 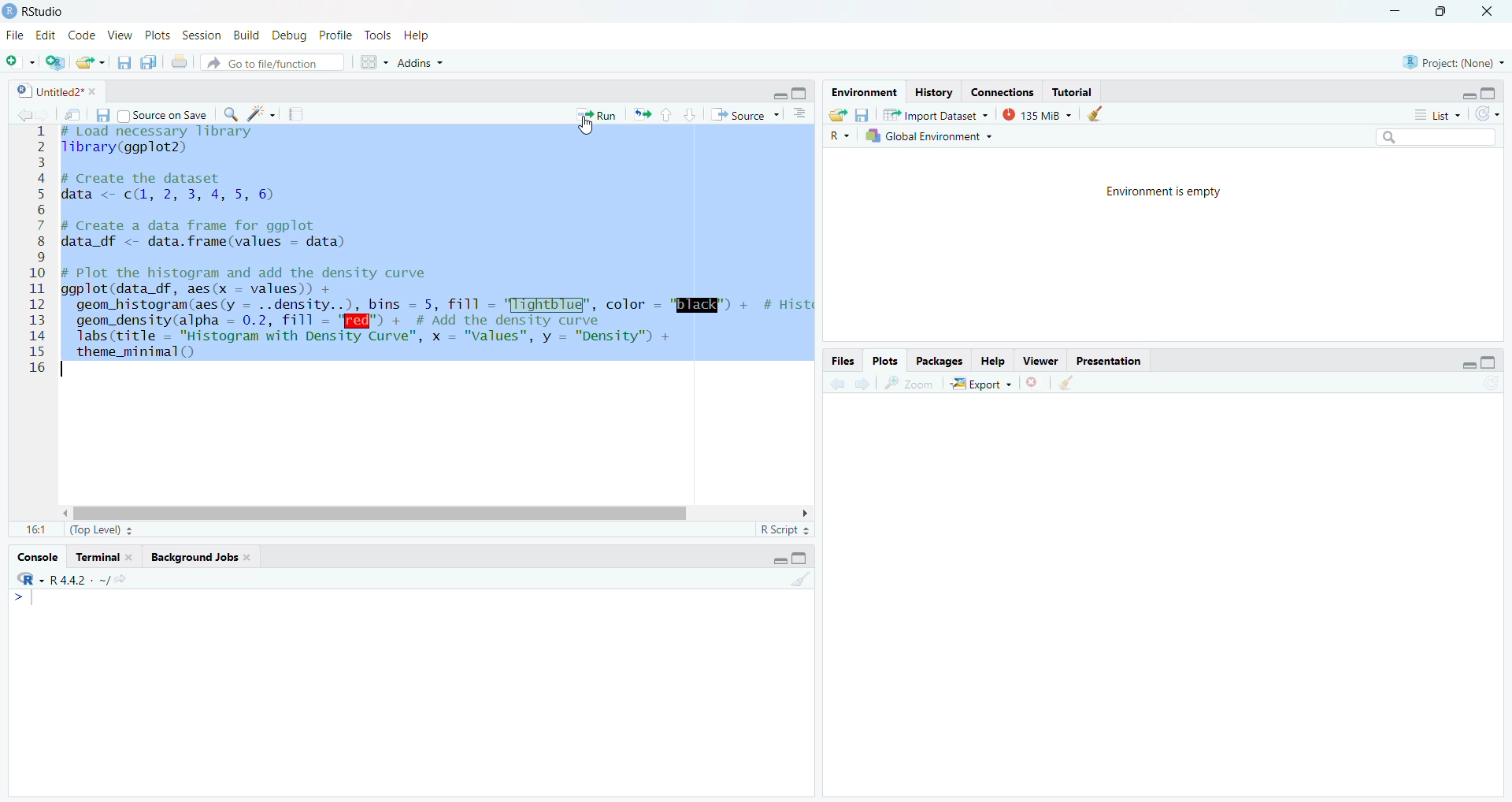 I want to click on maximize, so click(x=799, y=555).